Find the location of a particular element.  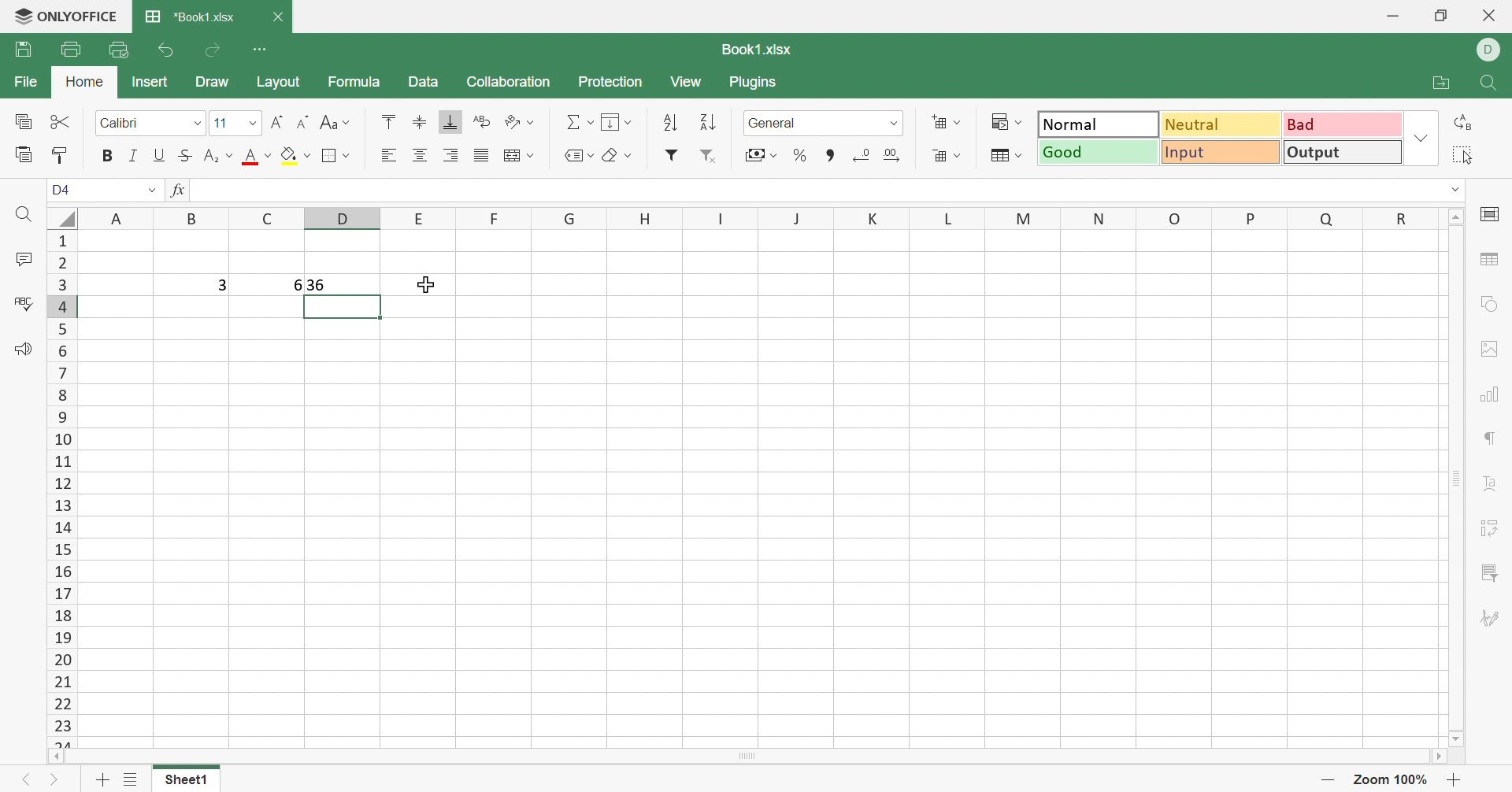

View is located at coordinates (685, 80).